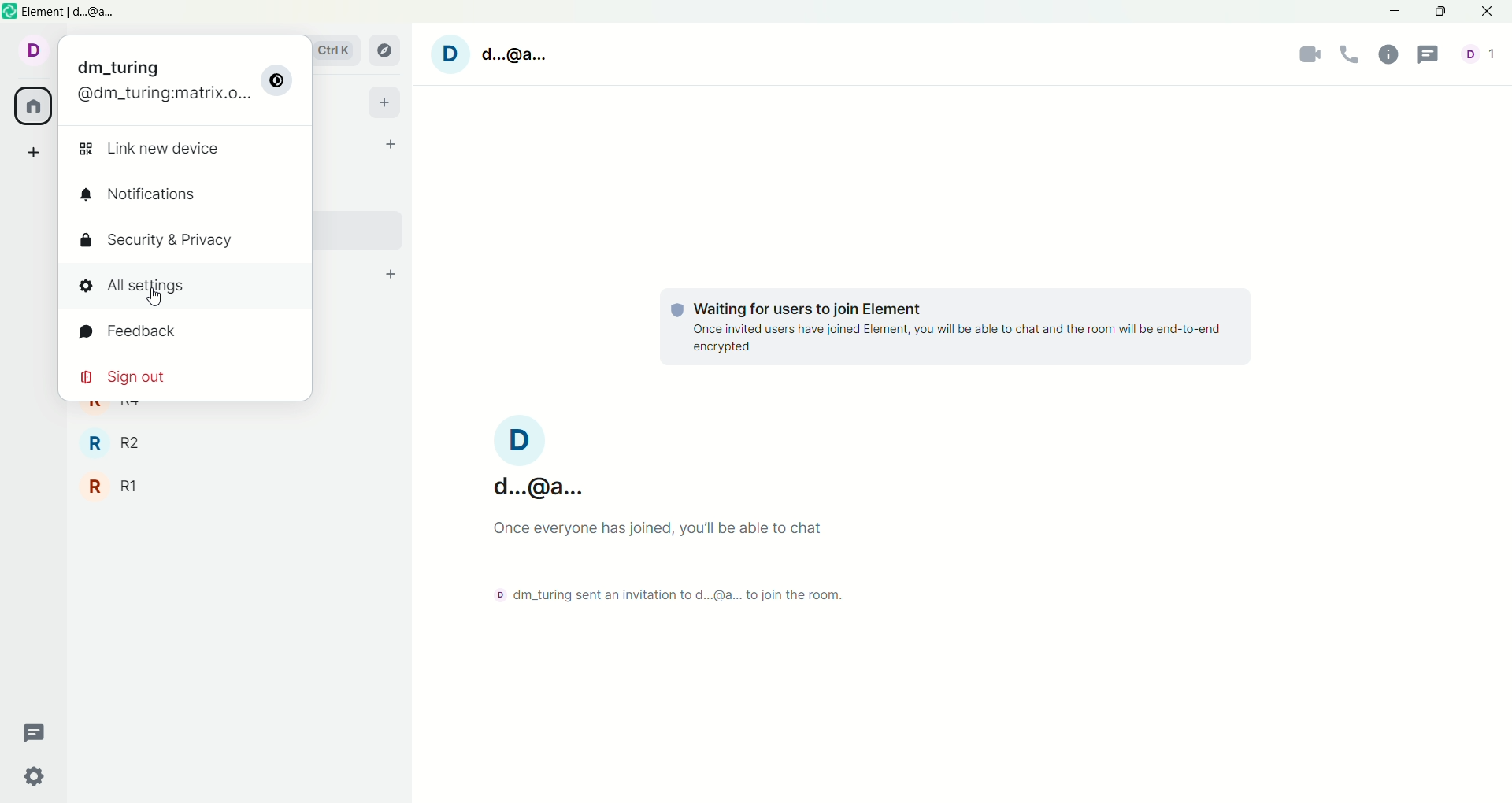 The width and height of the screenshot is (1512, 803). What do you see at coordinates (956, 326) in the screenshot?
I see `© Waiting for users to join Element
Once invited users have joined Element, you will be able to chat and the room will be end-to-end
encrypted` at bounding box center [956, 326].